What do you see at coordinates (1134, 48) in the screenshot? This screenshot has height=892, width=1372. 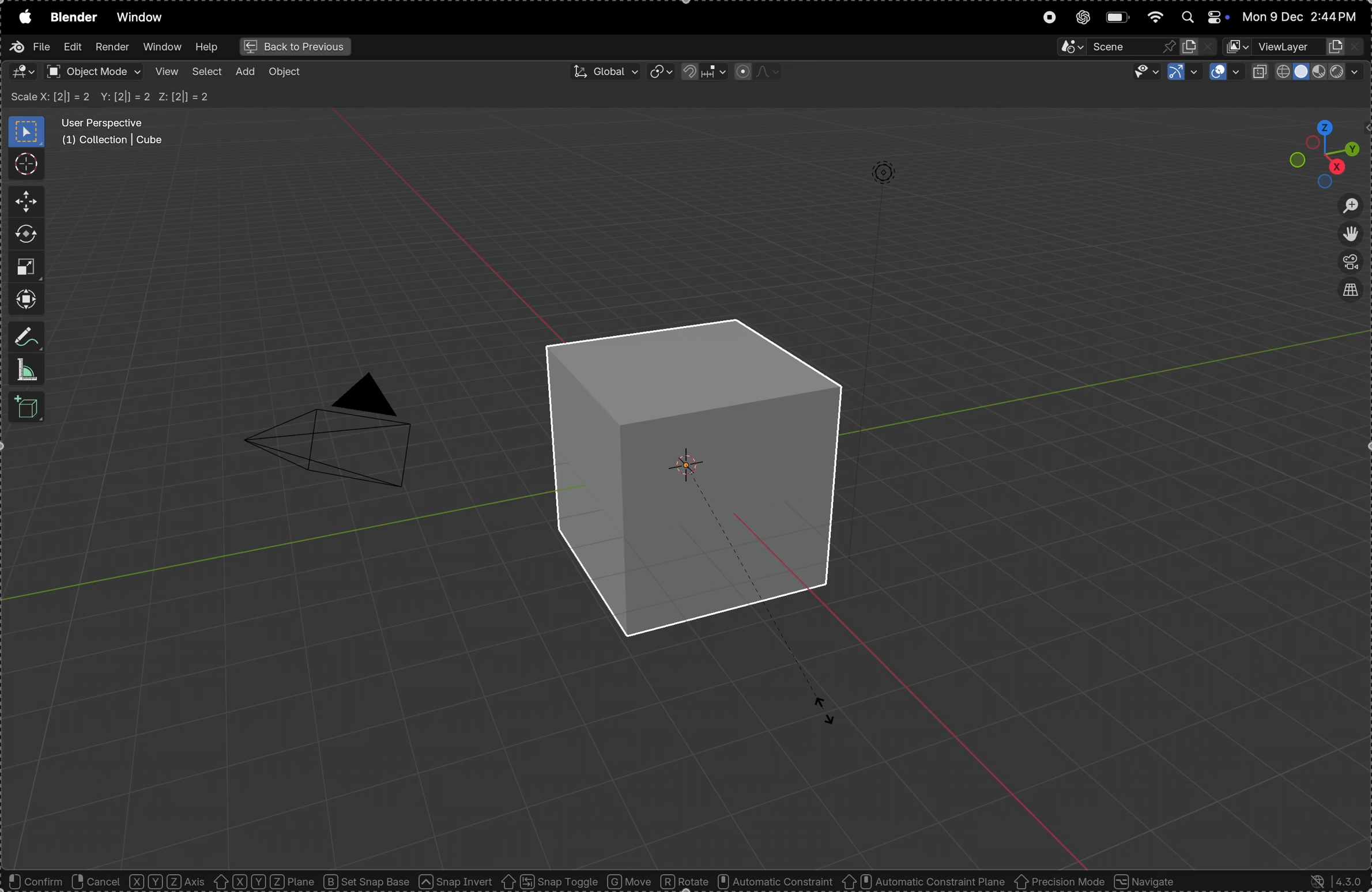 I see `secene` at bounding box center [1134, 48].